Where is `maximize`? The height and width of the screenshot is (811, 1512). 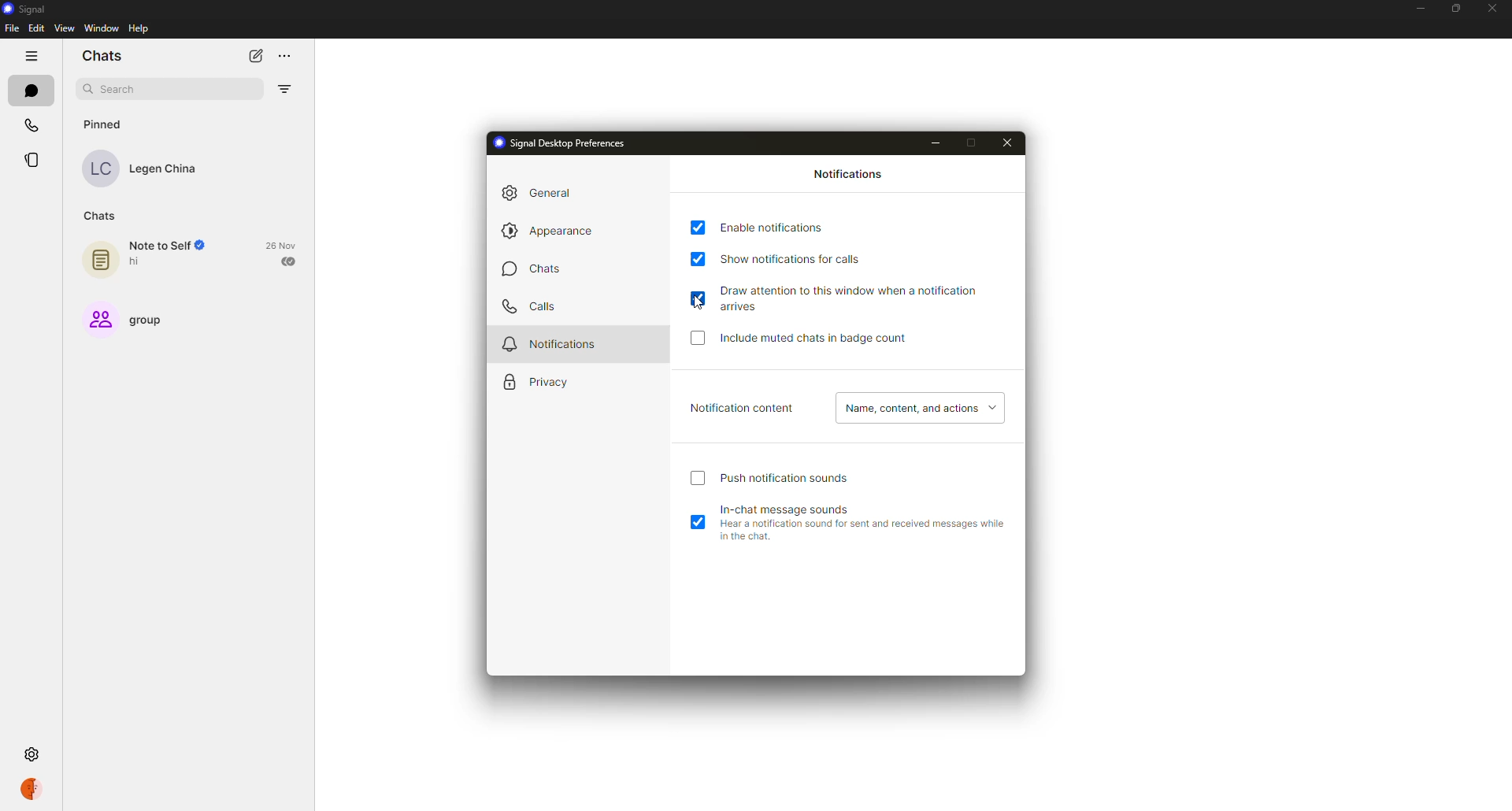 maximize is located at coordinates (974, 142).